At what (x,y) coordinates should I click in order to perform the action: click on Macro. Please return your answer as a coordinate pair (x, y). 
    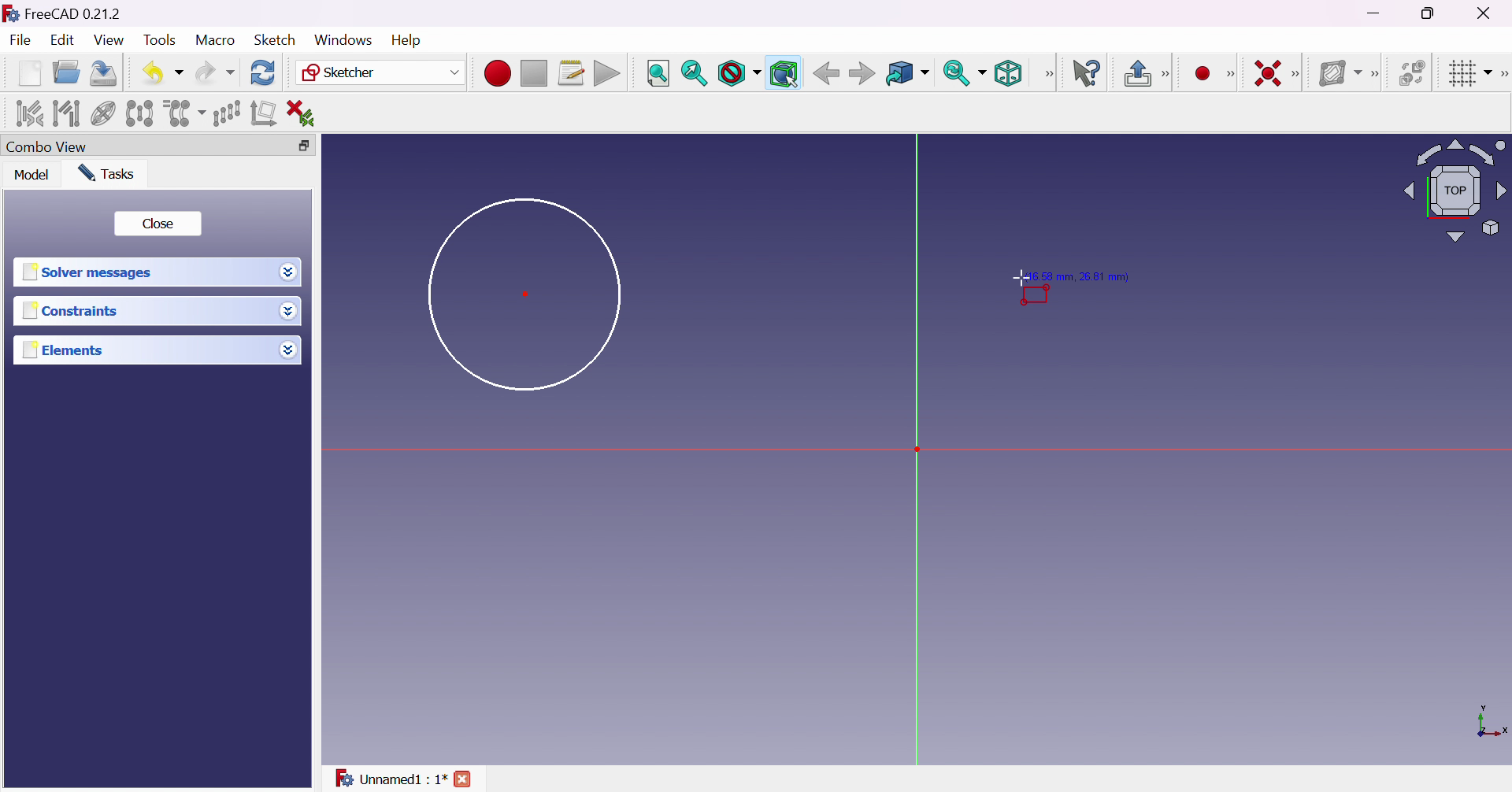
    Looking at the image, I should click on (216, 39).